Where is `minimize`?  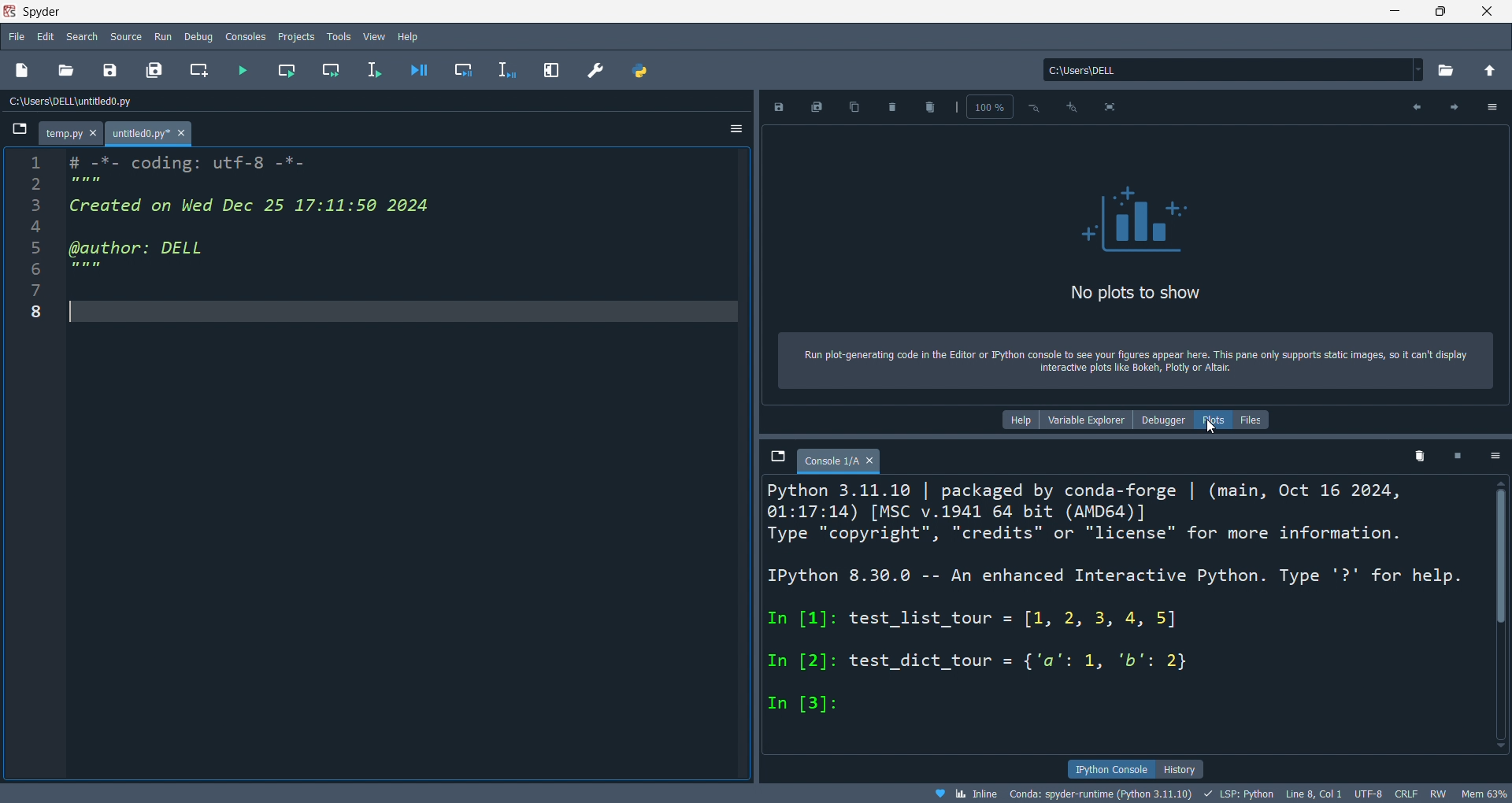
minimize is located at coordinates (1399, 12).